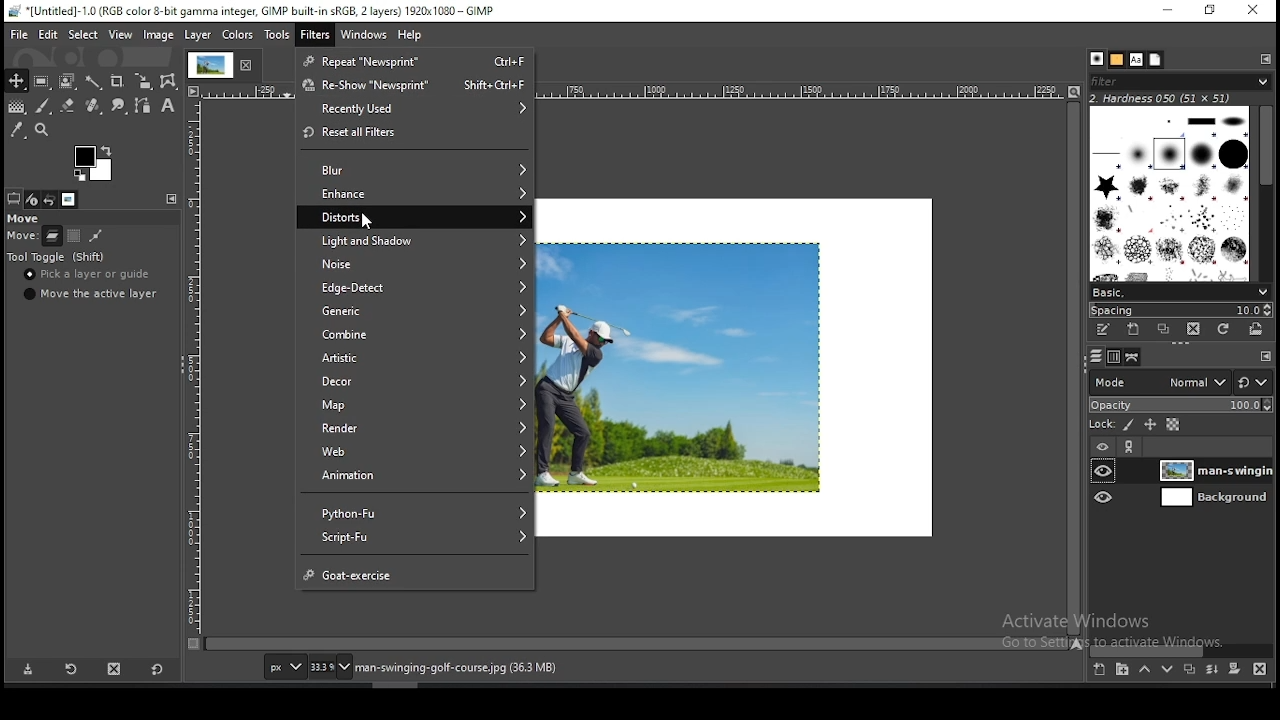 The width and height of the screenshot is (1280, 720). Describe the element at coordinates (119, 105) in the screenshot. I see `smudge tool` at that location.